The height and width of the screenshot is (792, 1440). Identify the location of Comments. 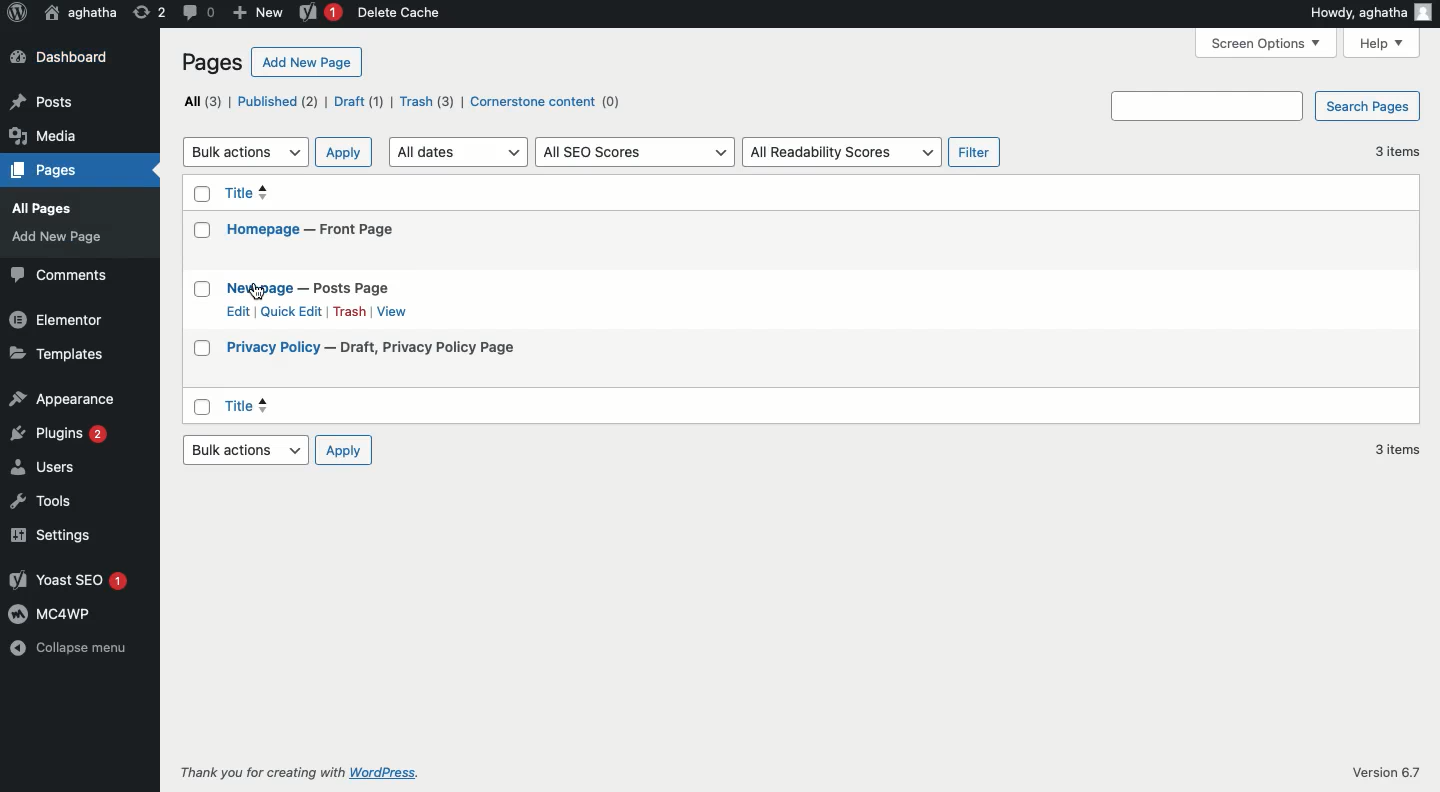
(59, 276).